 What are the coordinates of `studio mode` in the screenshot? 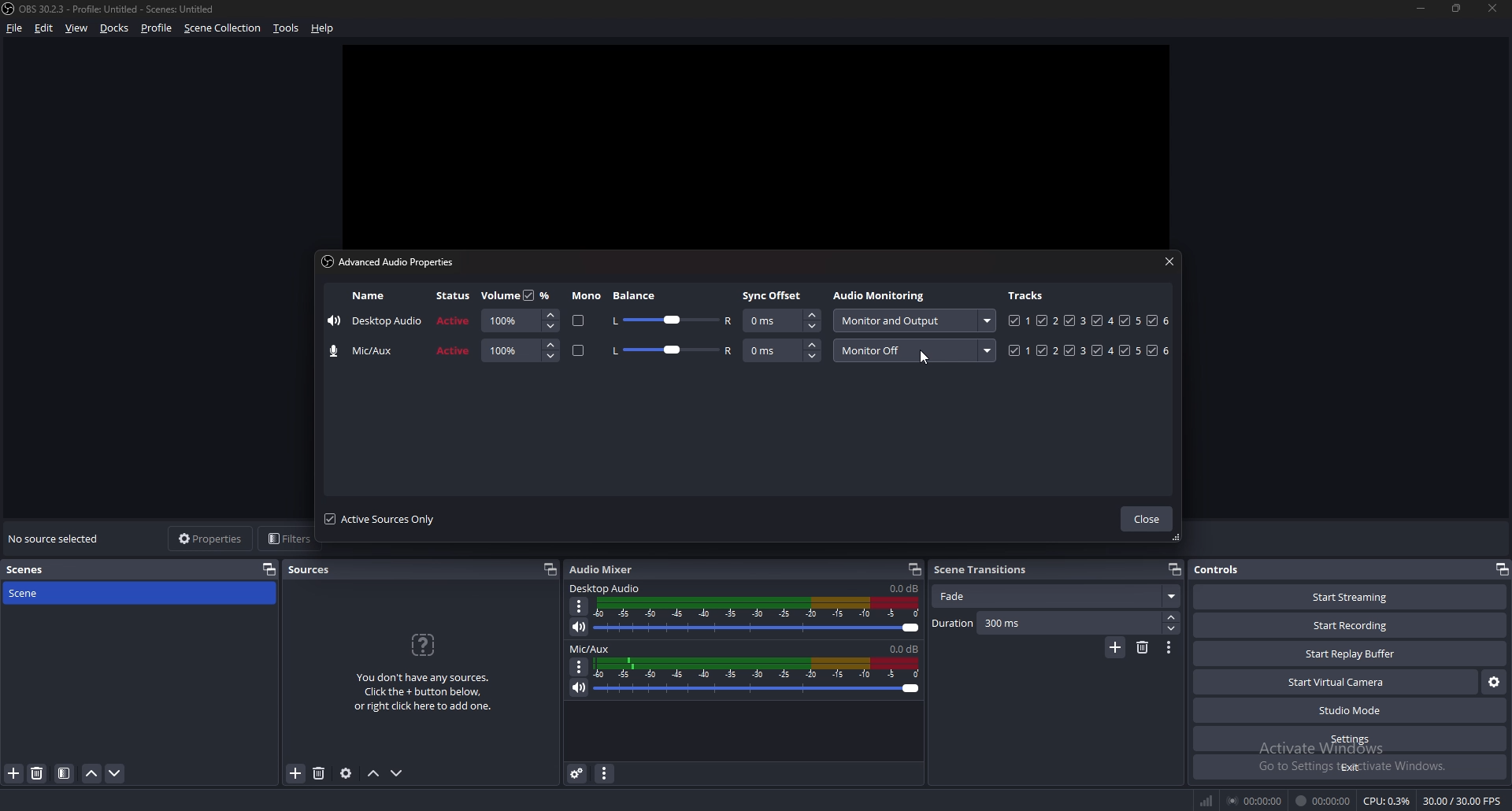 It's located at (1349, 711).